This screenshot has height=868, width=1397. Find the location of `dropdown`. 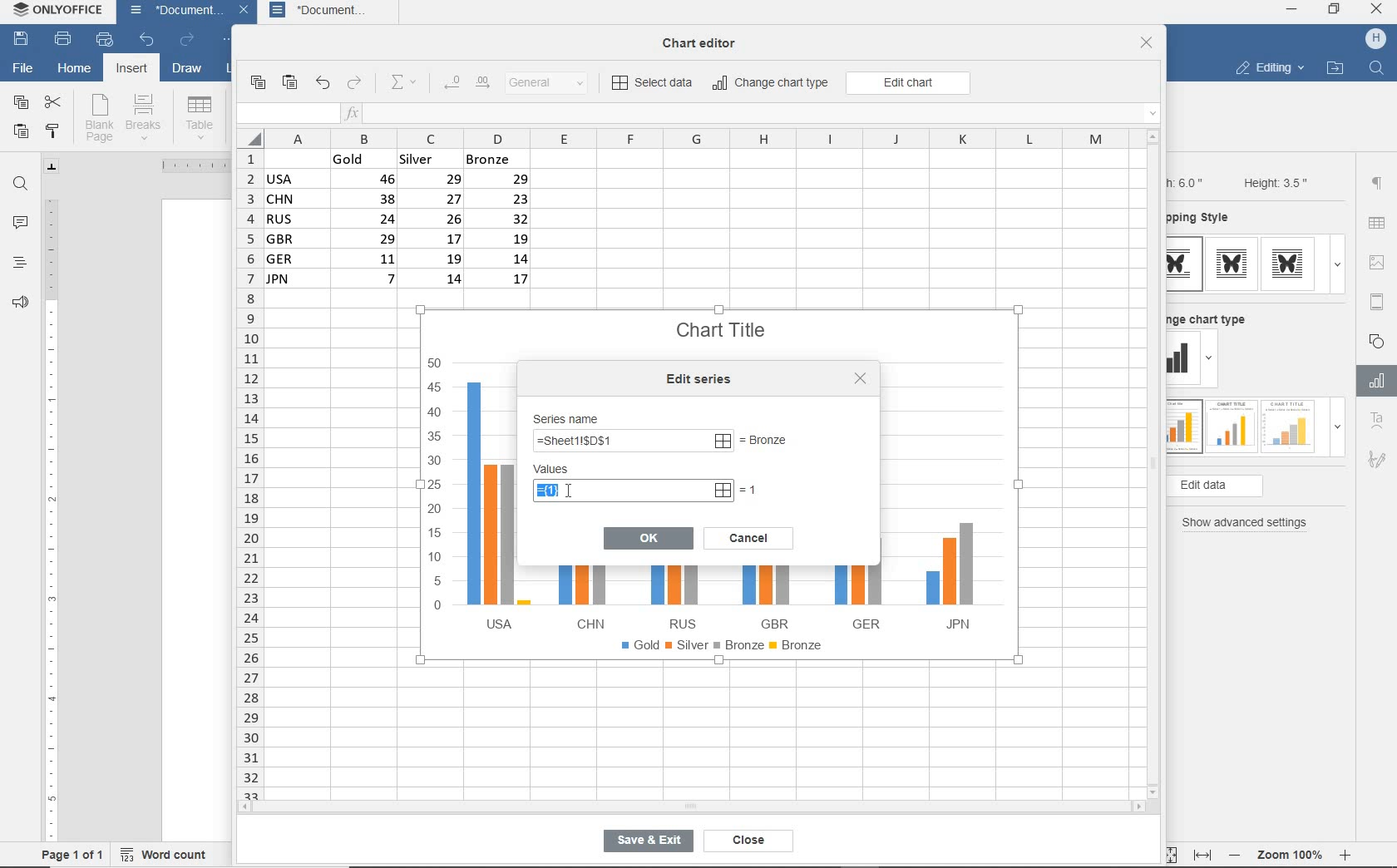

dropdown is located at coordinates (1337, 432).